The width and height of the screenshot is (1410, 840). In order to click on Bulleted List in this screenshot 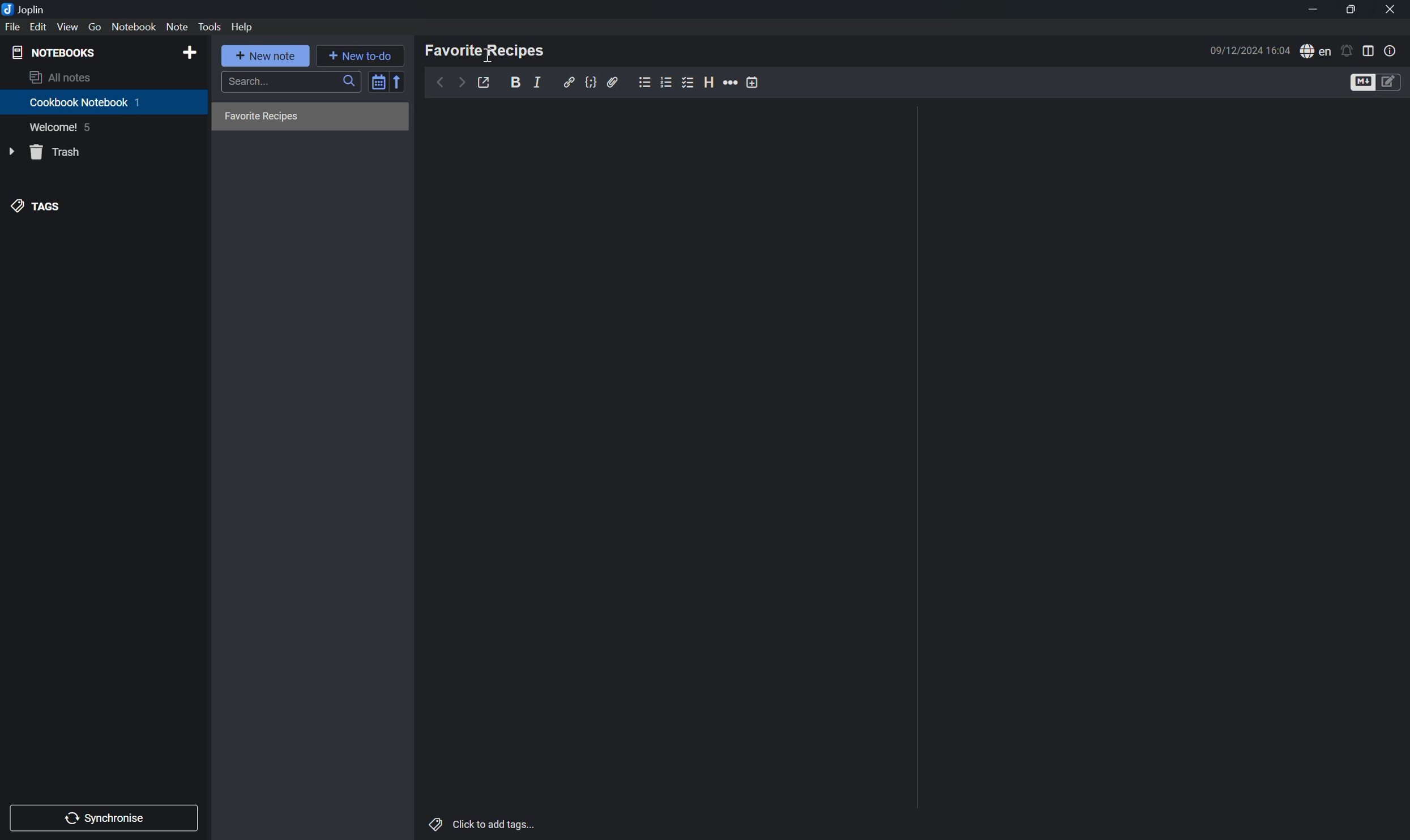, I will do `click(643, 83)`.